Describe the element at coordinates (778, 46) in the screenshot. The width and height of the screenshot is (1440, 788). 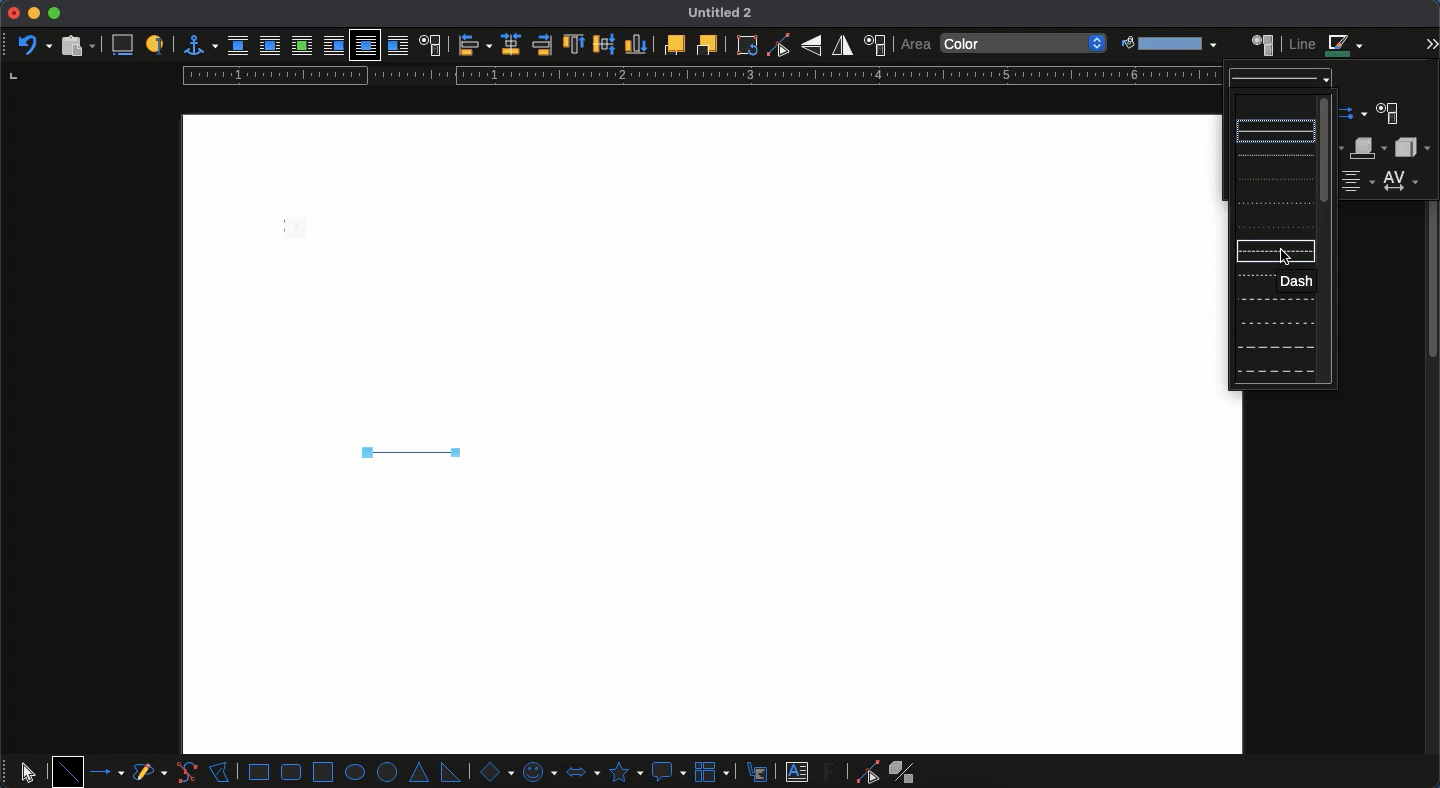
I see `Toggle point edit mode` at that location.